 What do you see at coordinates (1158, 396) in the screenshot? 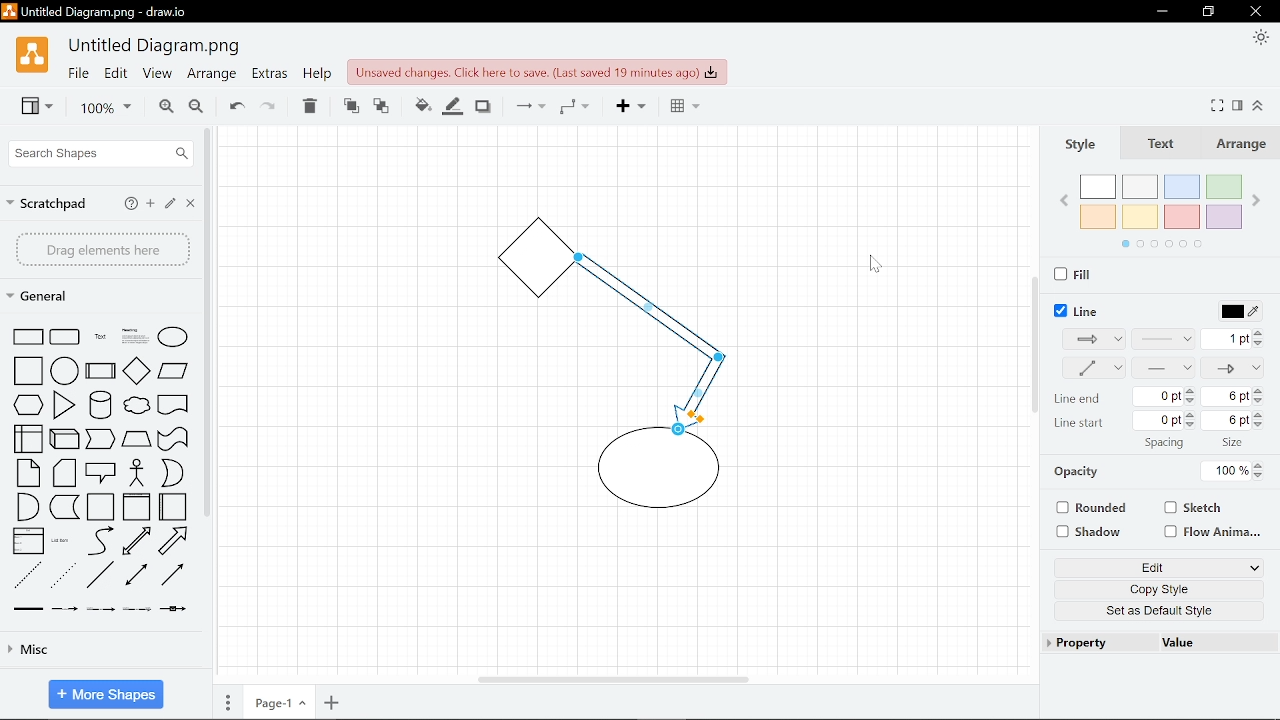
I see `0 pt` at bounding box center [1158, 396].